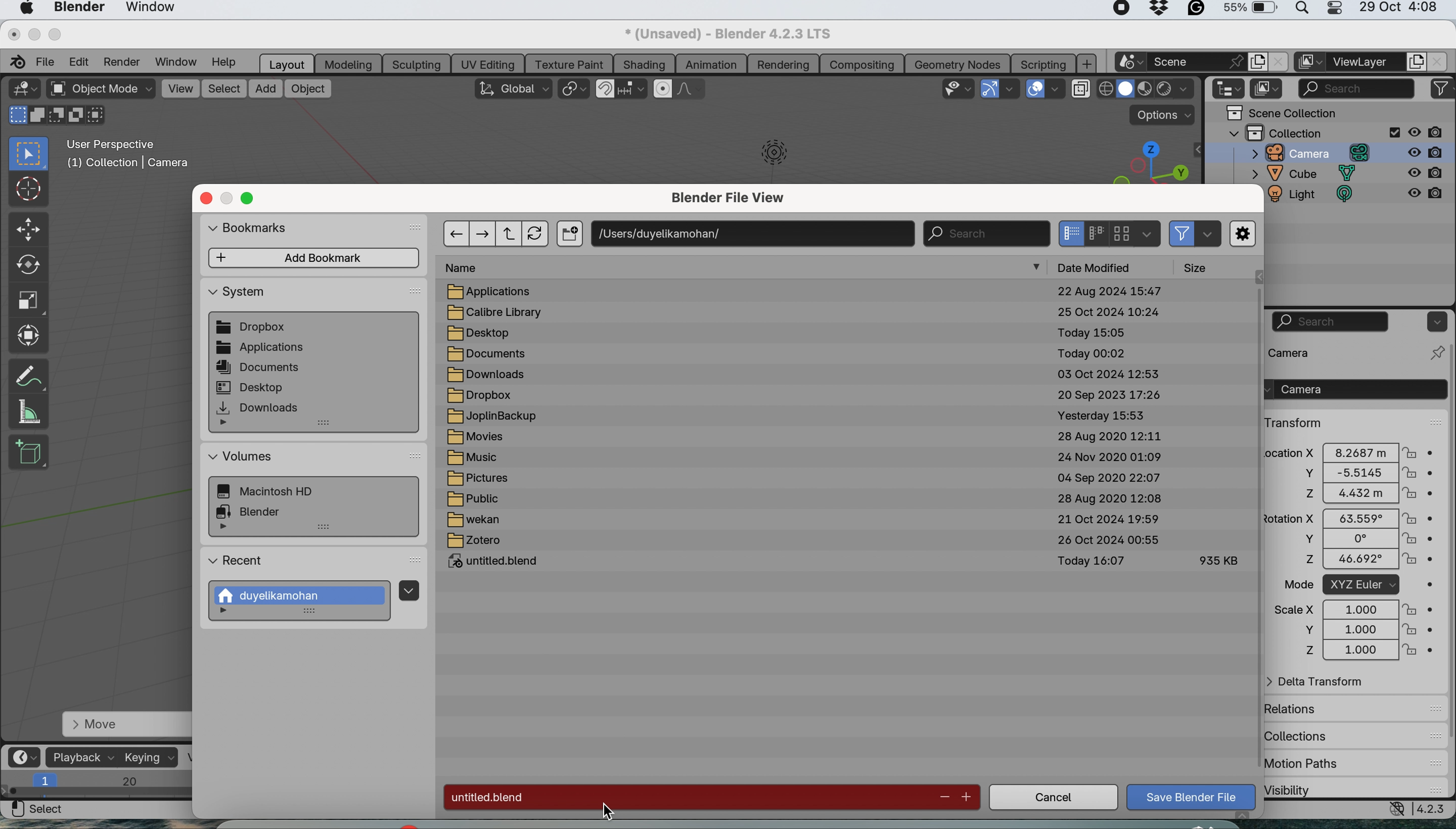 Image resolution: width=1456 pixels, height=829 pixels. I want to click on shading, so click(644, 64).